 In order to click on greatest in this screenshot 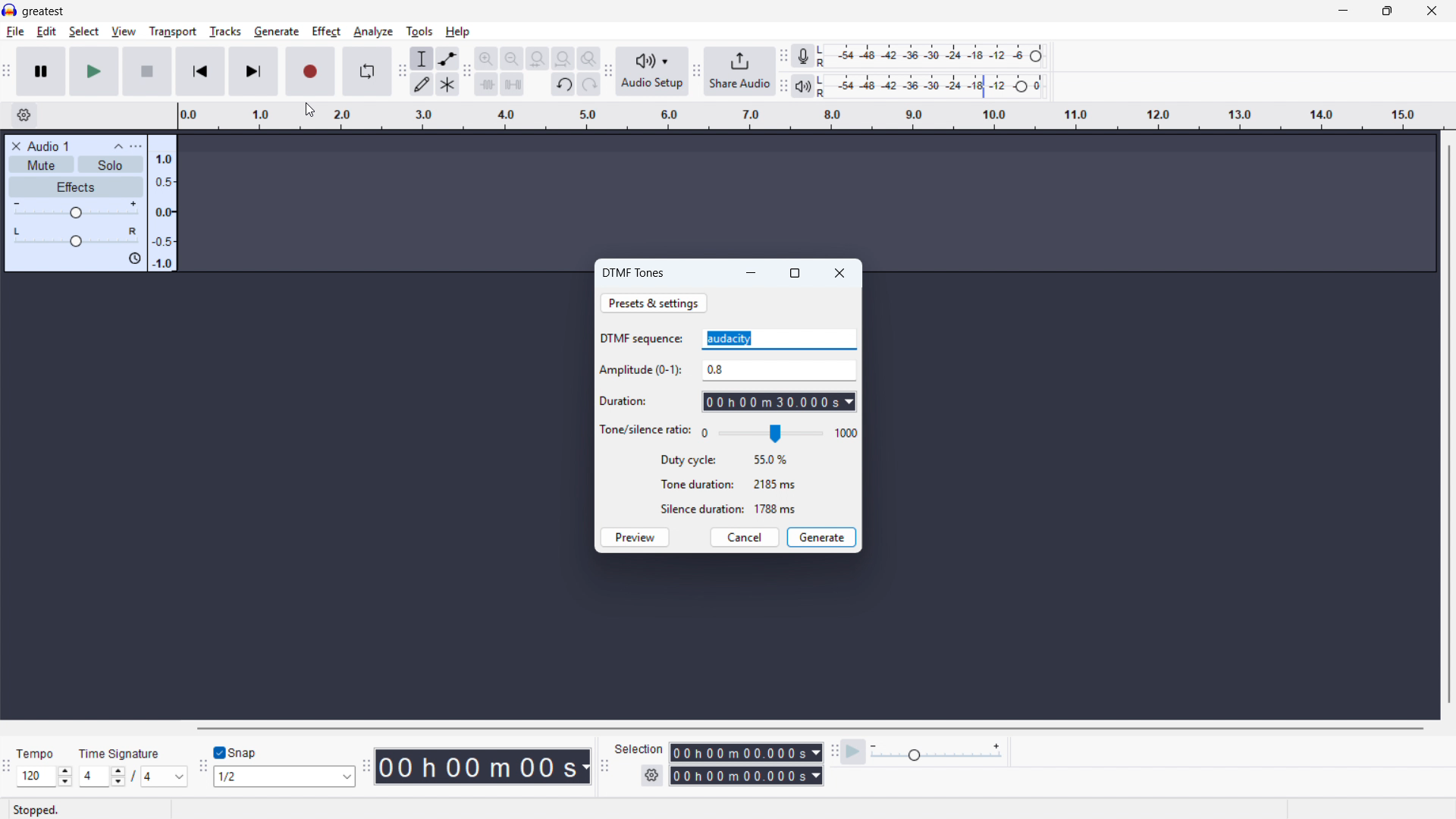, I will do `click(43, 11)`.